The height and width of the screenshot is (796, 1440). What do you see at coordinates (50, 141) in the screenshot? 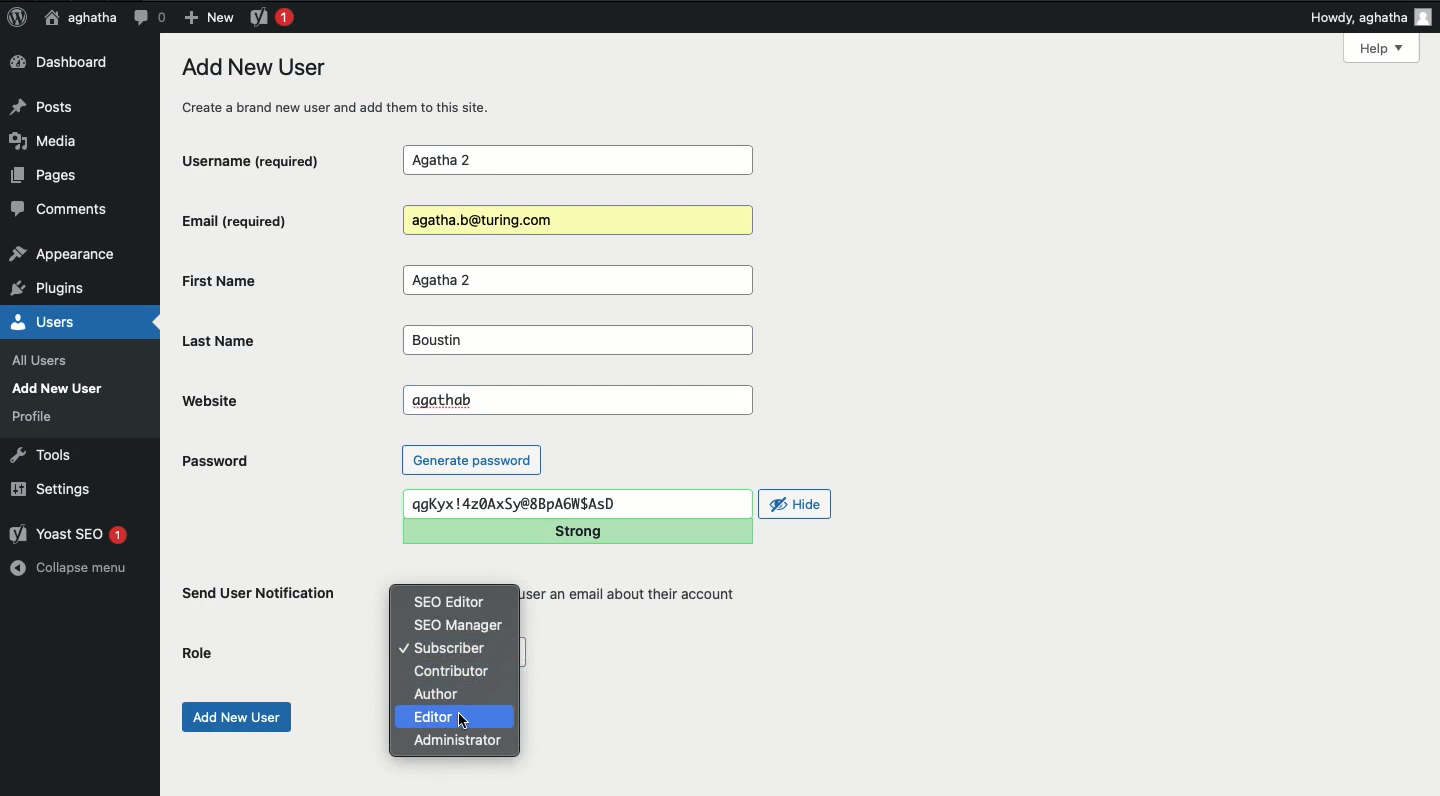
I see `Media` at bounding box center [50, 141].